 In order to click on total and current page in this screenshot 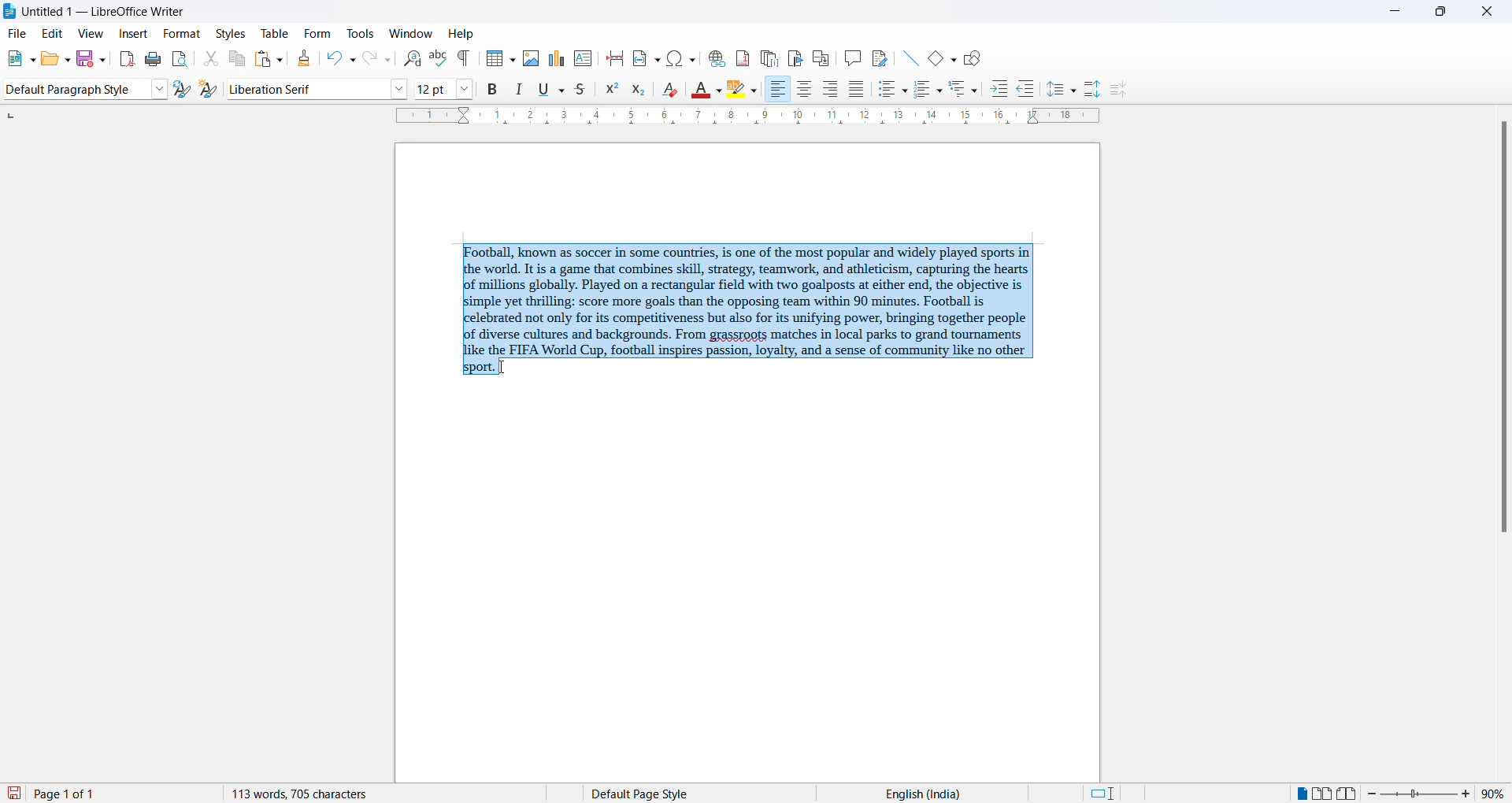, I will do `click(124, 793)`.